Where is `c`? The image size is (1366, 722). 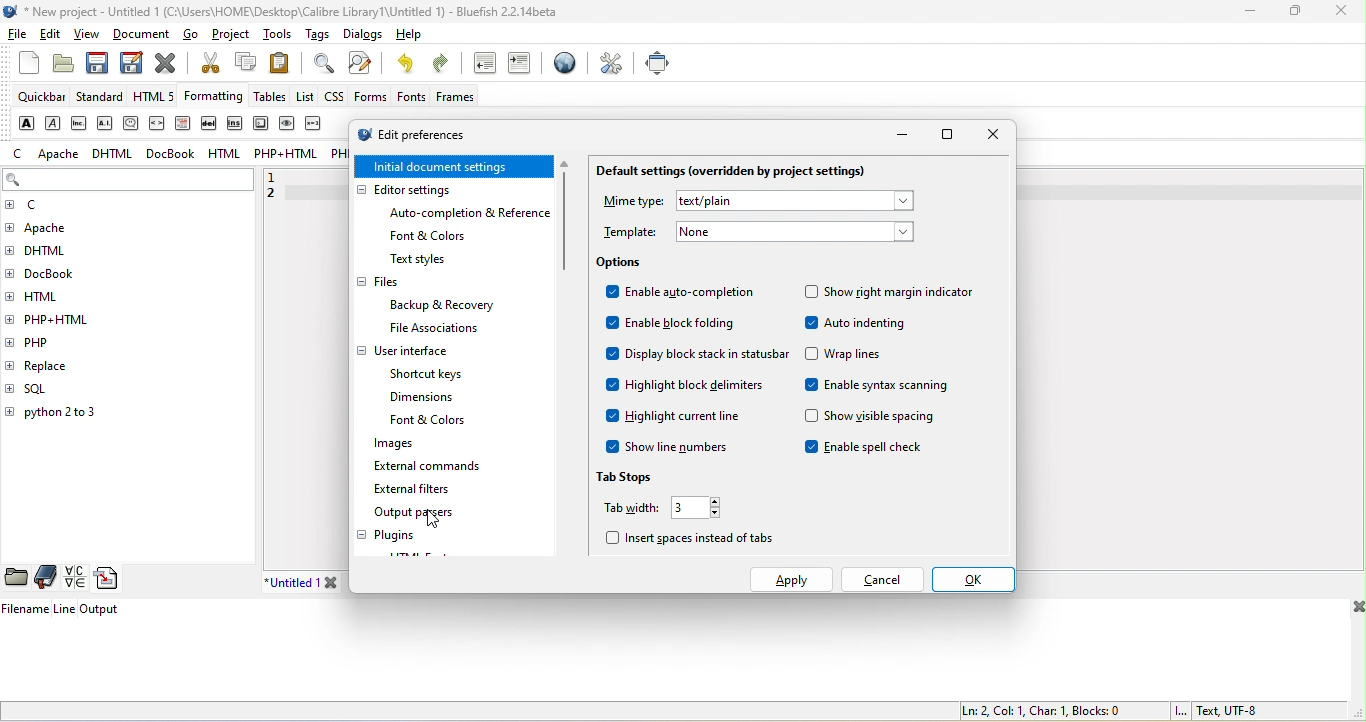
c is located at coordinates (38, 206).